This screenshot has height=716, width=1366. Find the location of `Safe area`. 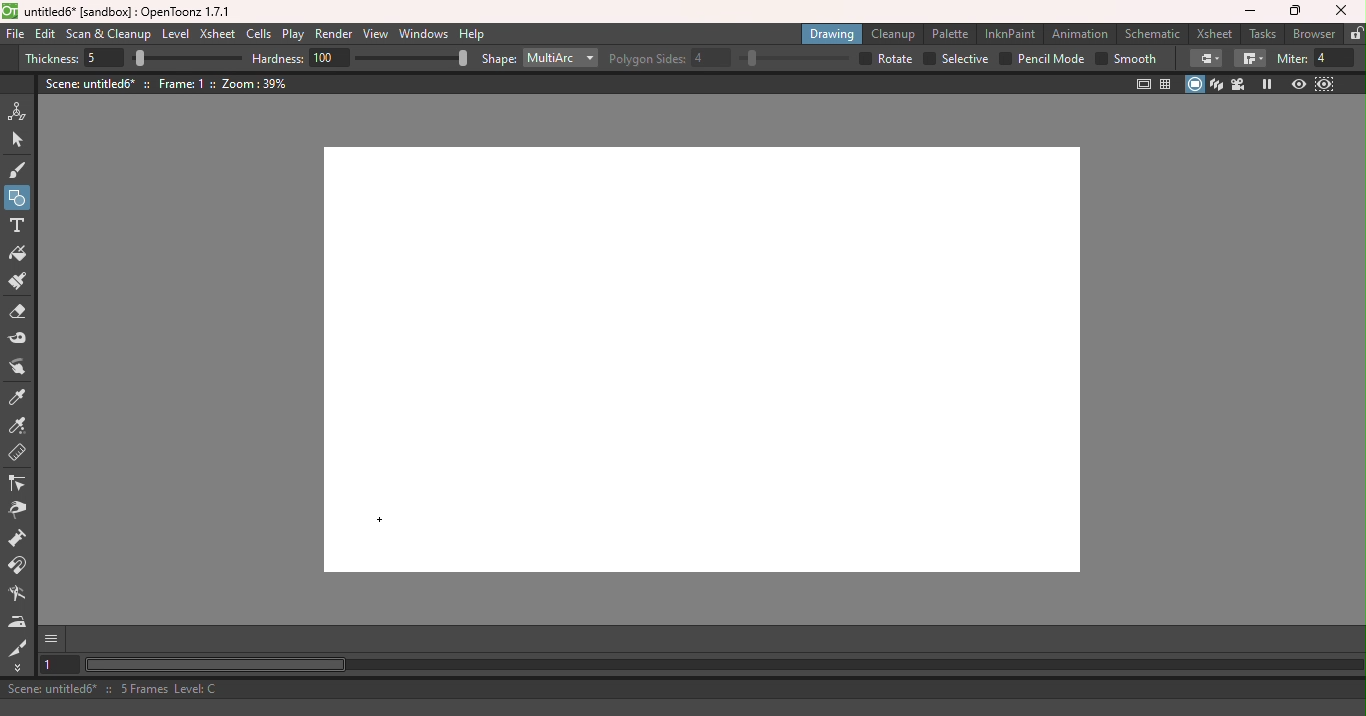

Safe area is located at coordinates (1144, 84).